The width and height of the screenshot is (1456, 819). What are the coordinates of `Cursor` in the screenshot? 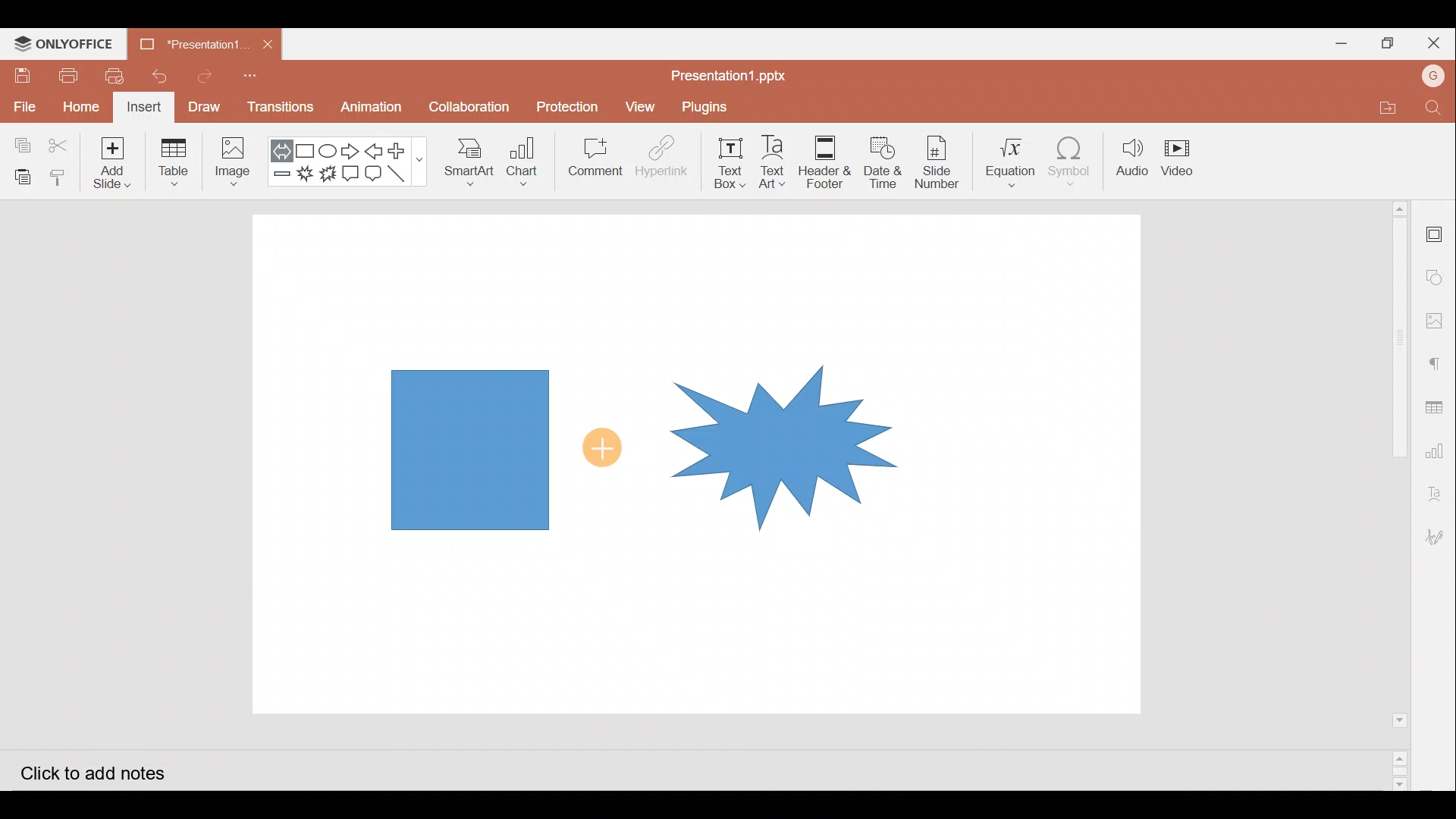 It's located at (607, 445).